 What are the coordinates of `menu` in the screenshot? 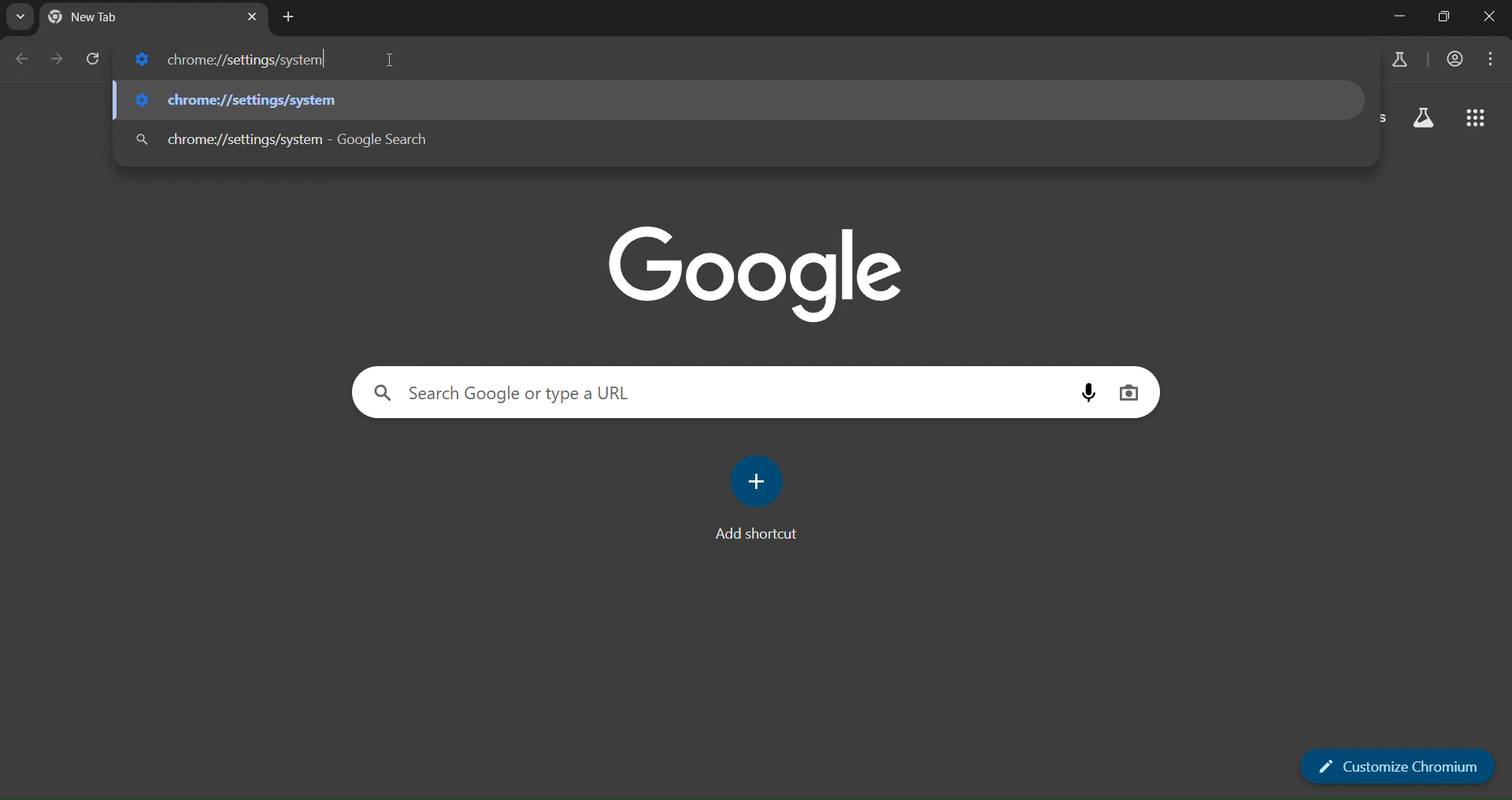 It's located at (1495, 59).